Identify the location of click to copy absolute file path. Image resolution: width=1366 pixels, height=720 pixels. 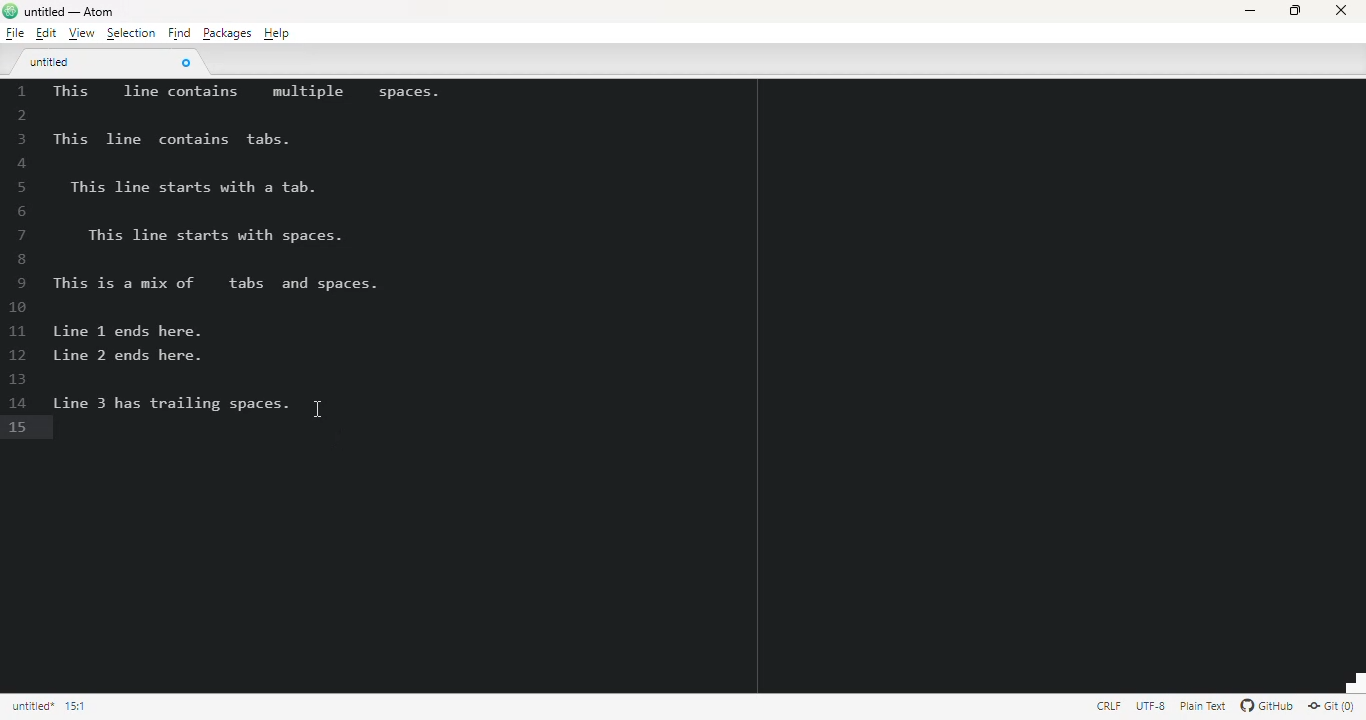
(32, 706).